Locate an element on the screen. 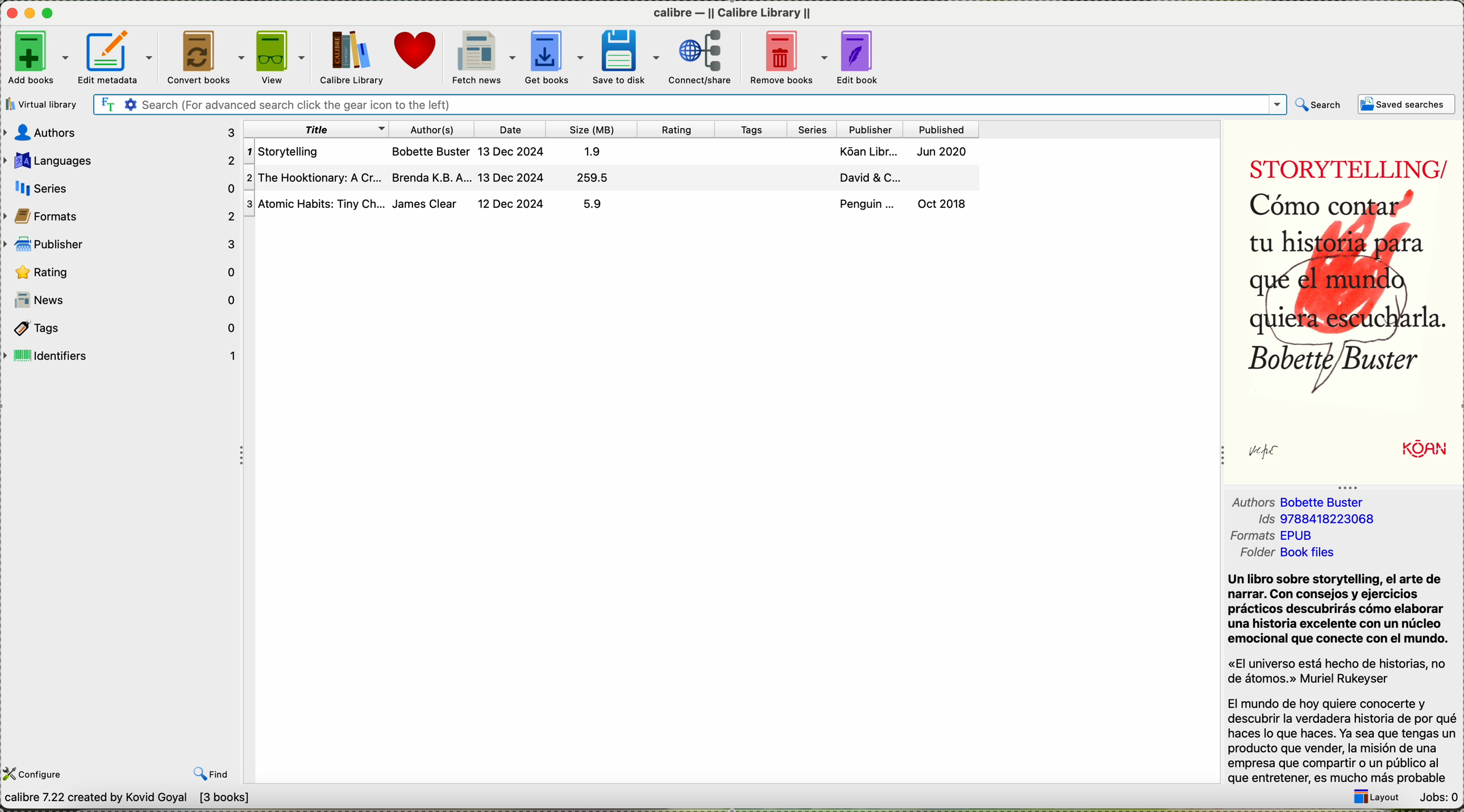  identifiers is located at coordinates (123, 355).